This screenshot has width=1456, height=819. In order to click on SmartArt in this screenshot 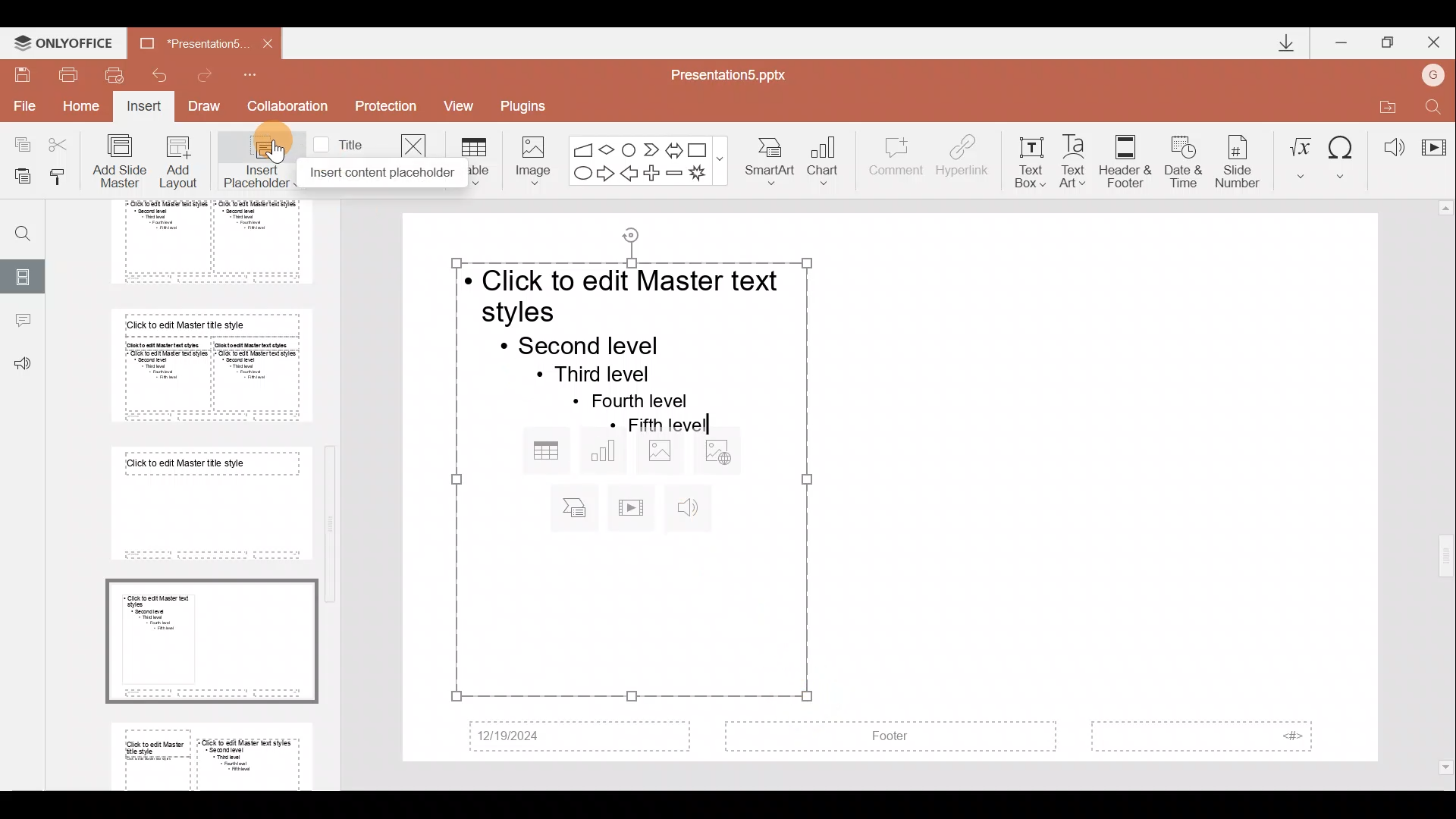, I will do `click(773, 162)`.